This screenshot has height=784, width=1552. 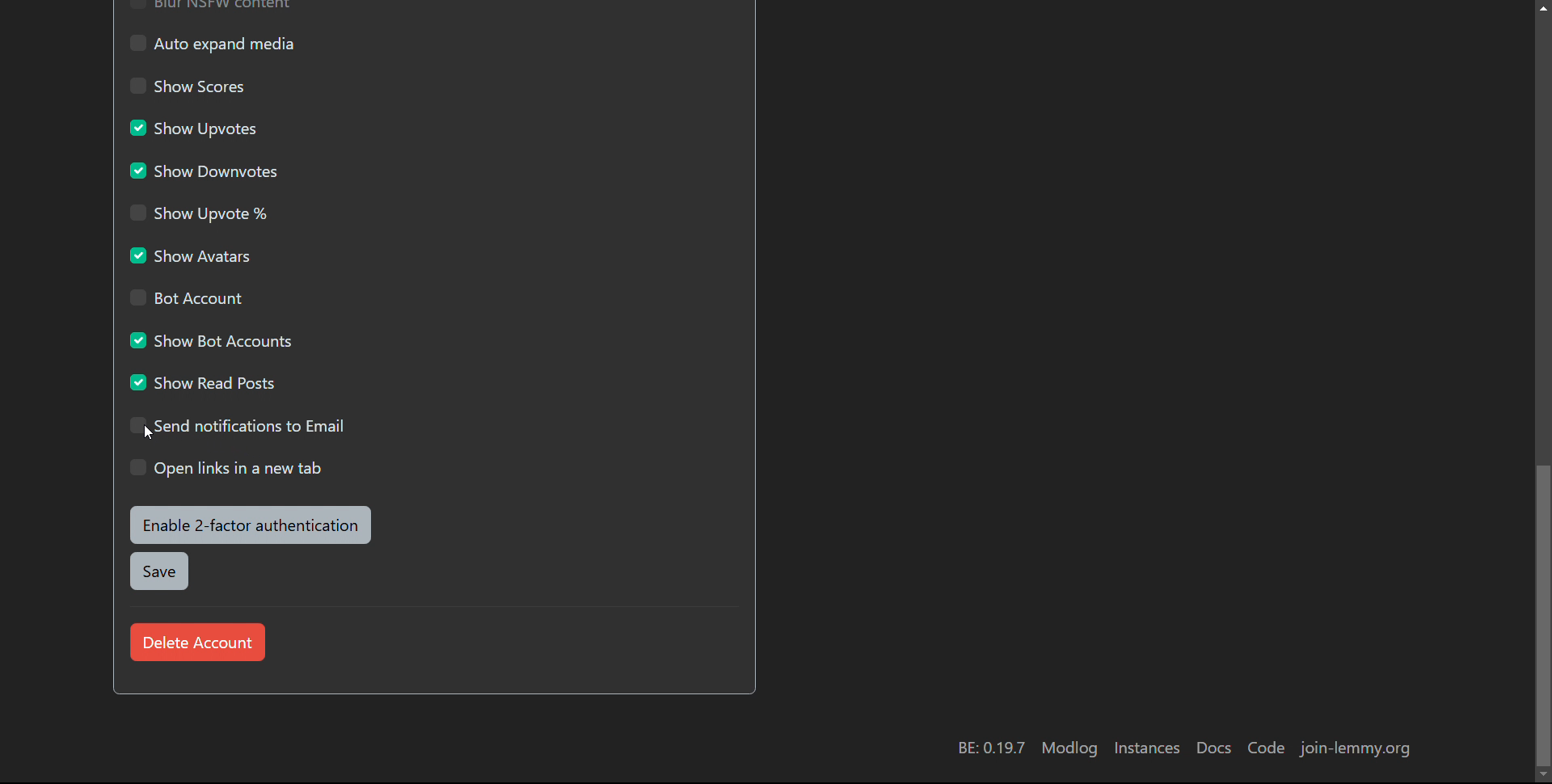 I want to click on scrollbar moved, so click(x=1541, y=615).